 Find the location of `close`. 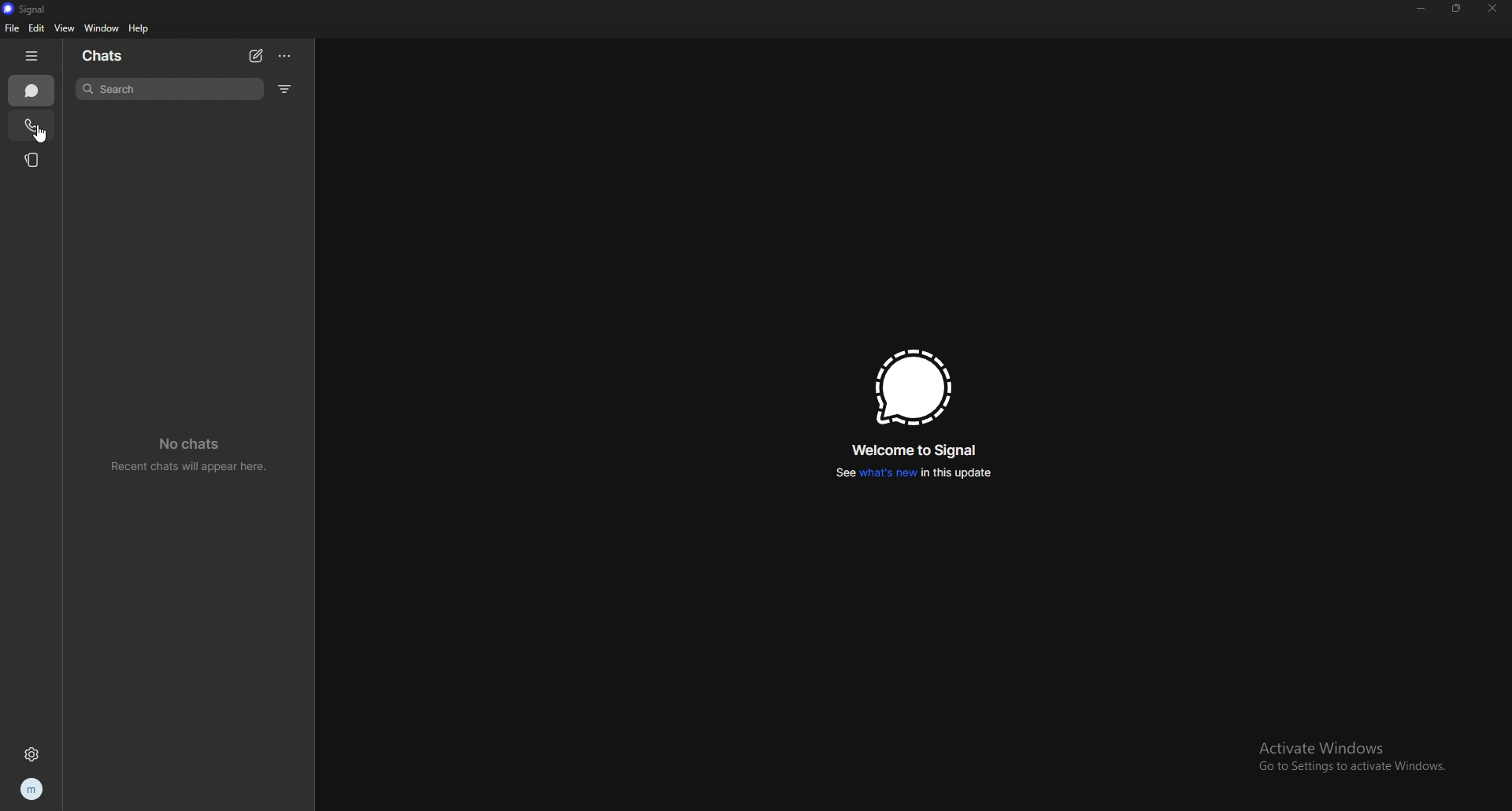

close is located at coordinates (1495, 9).